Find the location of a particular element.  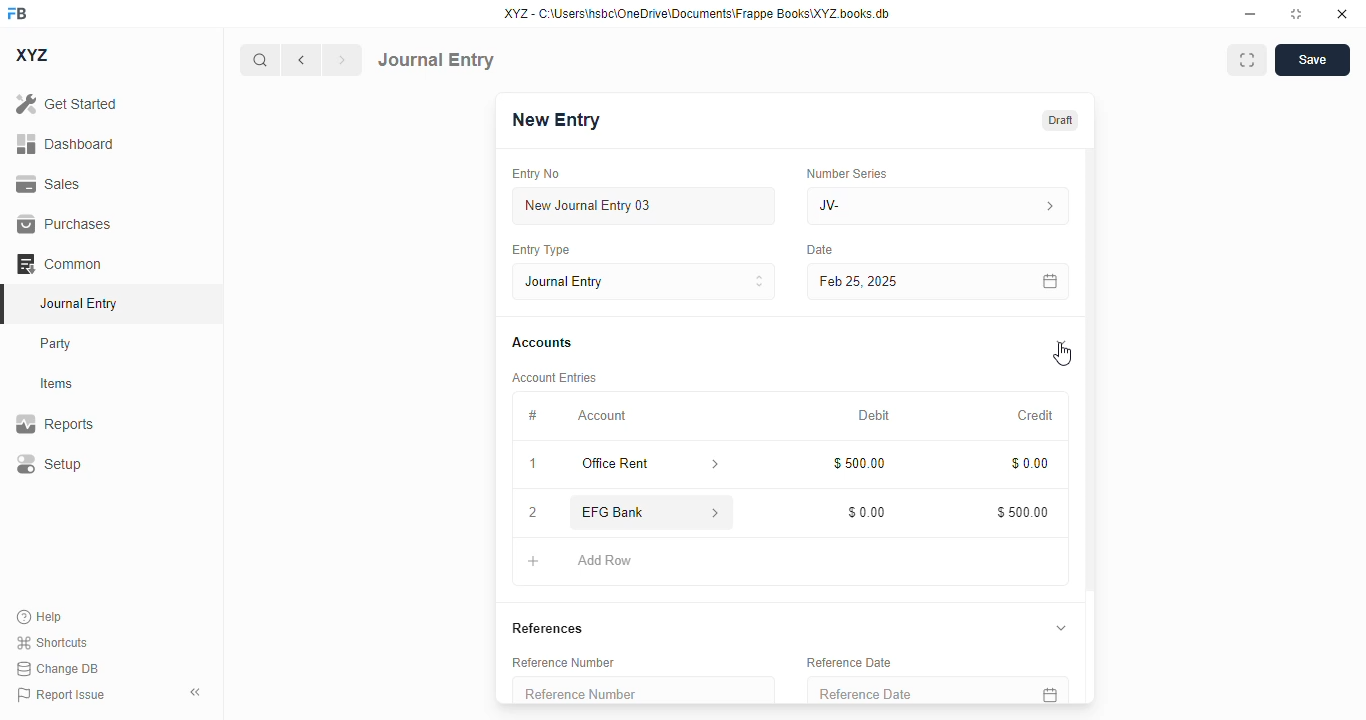

feb 25, 2025 is located at coordinates (910, 282).